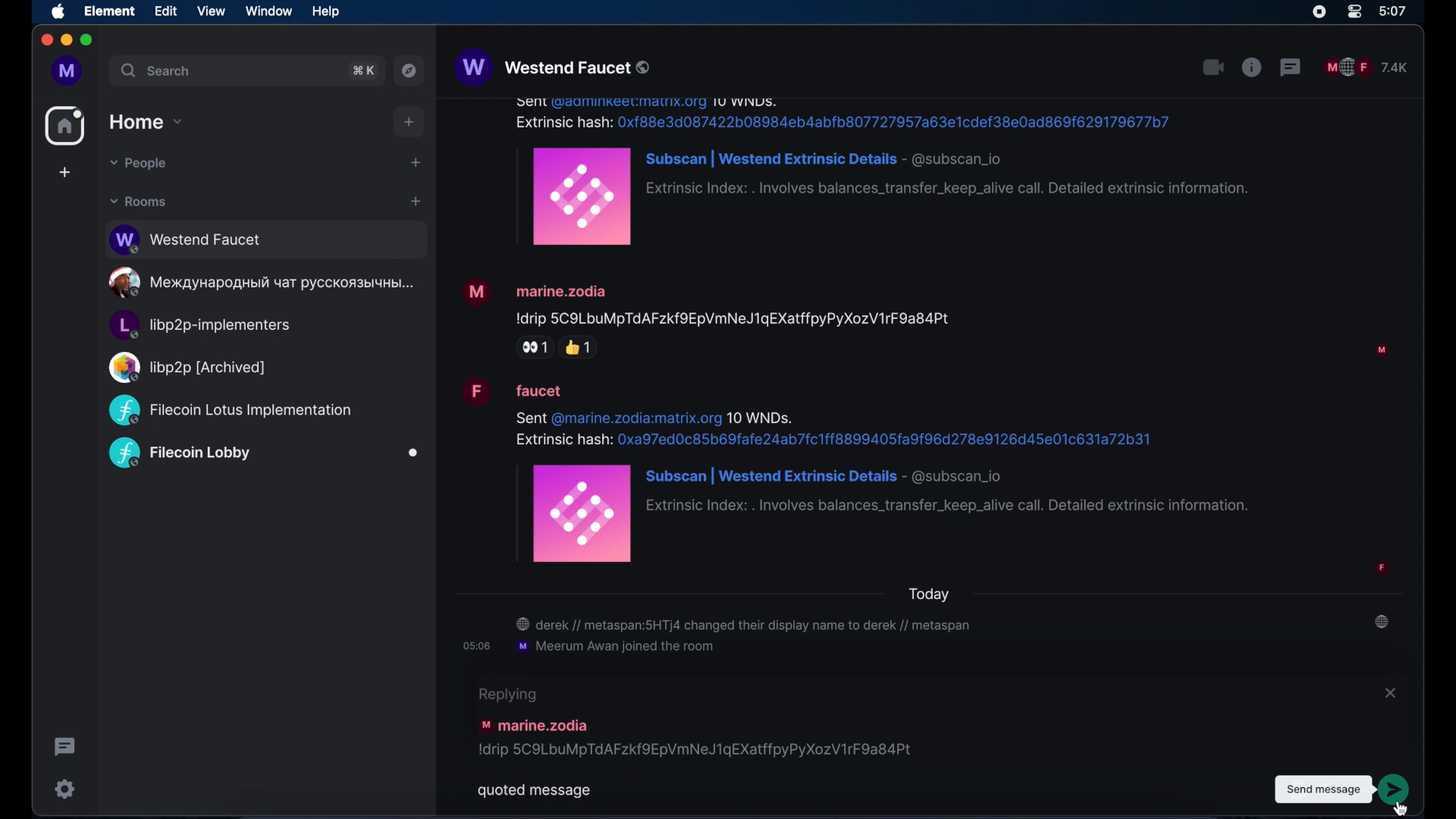 This screenshot has width=1456, height=819. Describe the element at coordinates (1252, 67) in the screenshot. I see `public room properties` at that location.